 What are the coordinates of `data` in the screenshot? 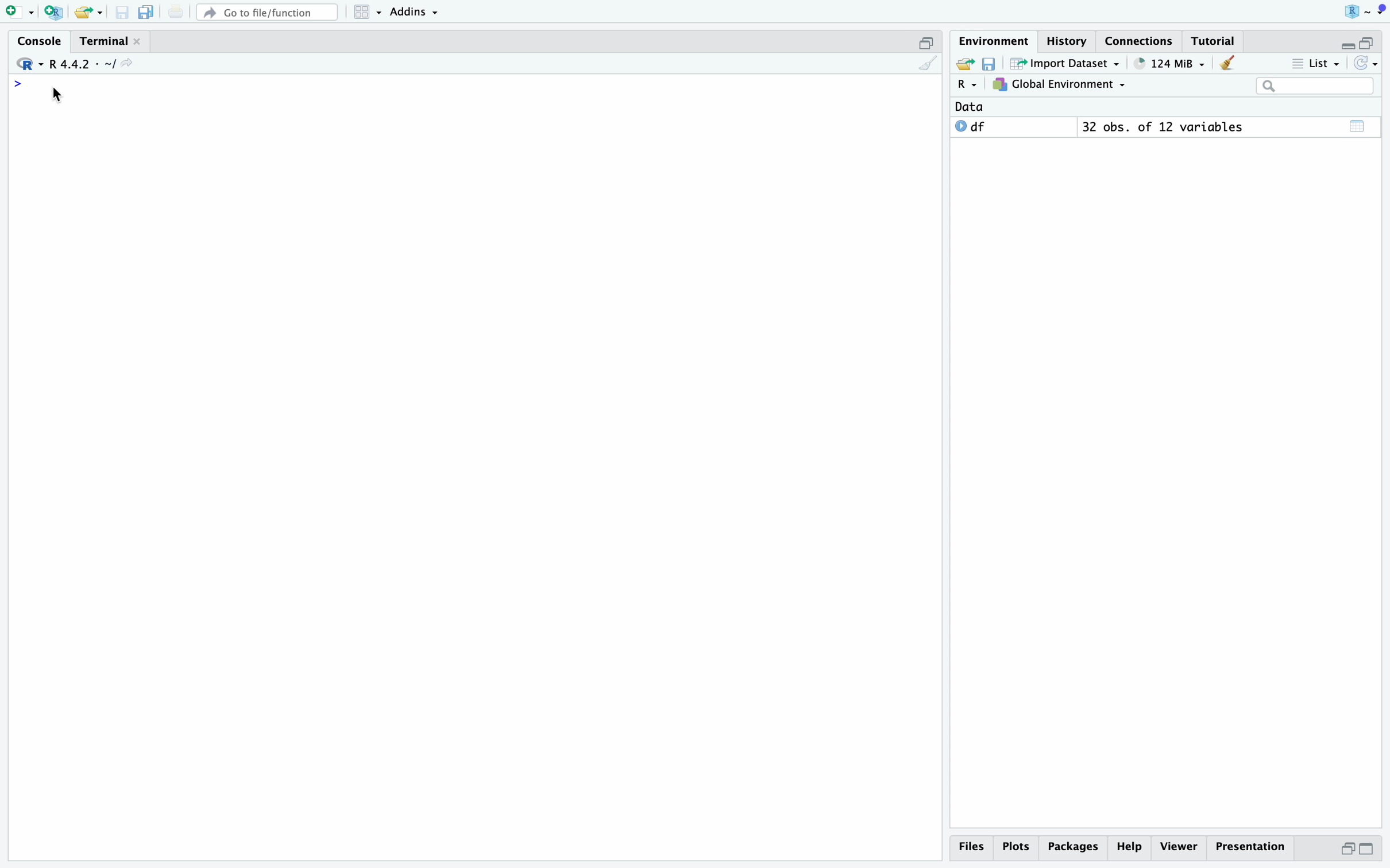 It's located at (969, 107).